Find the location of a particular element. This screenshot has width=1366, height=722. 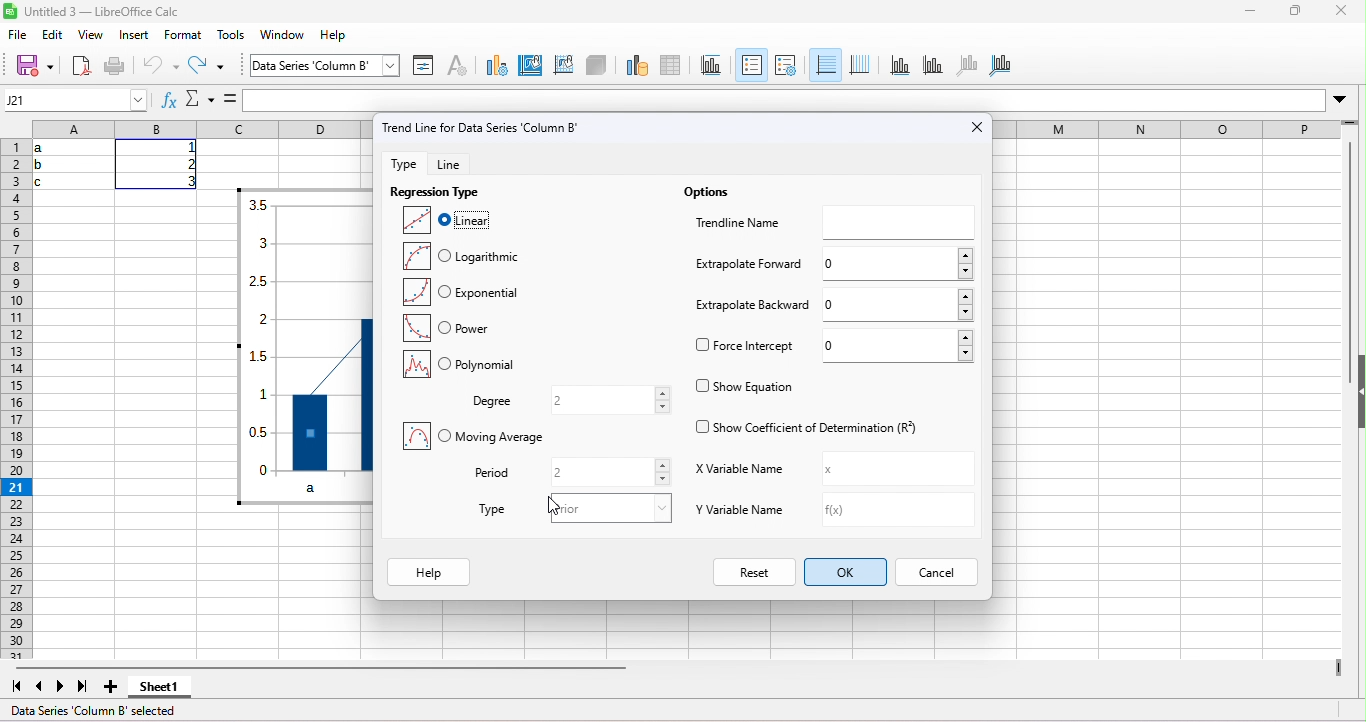

exponential is located at coordinates (465, 294).